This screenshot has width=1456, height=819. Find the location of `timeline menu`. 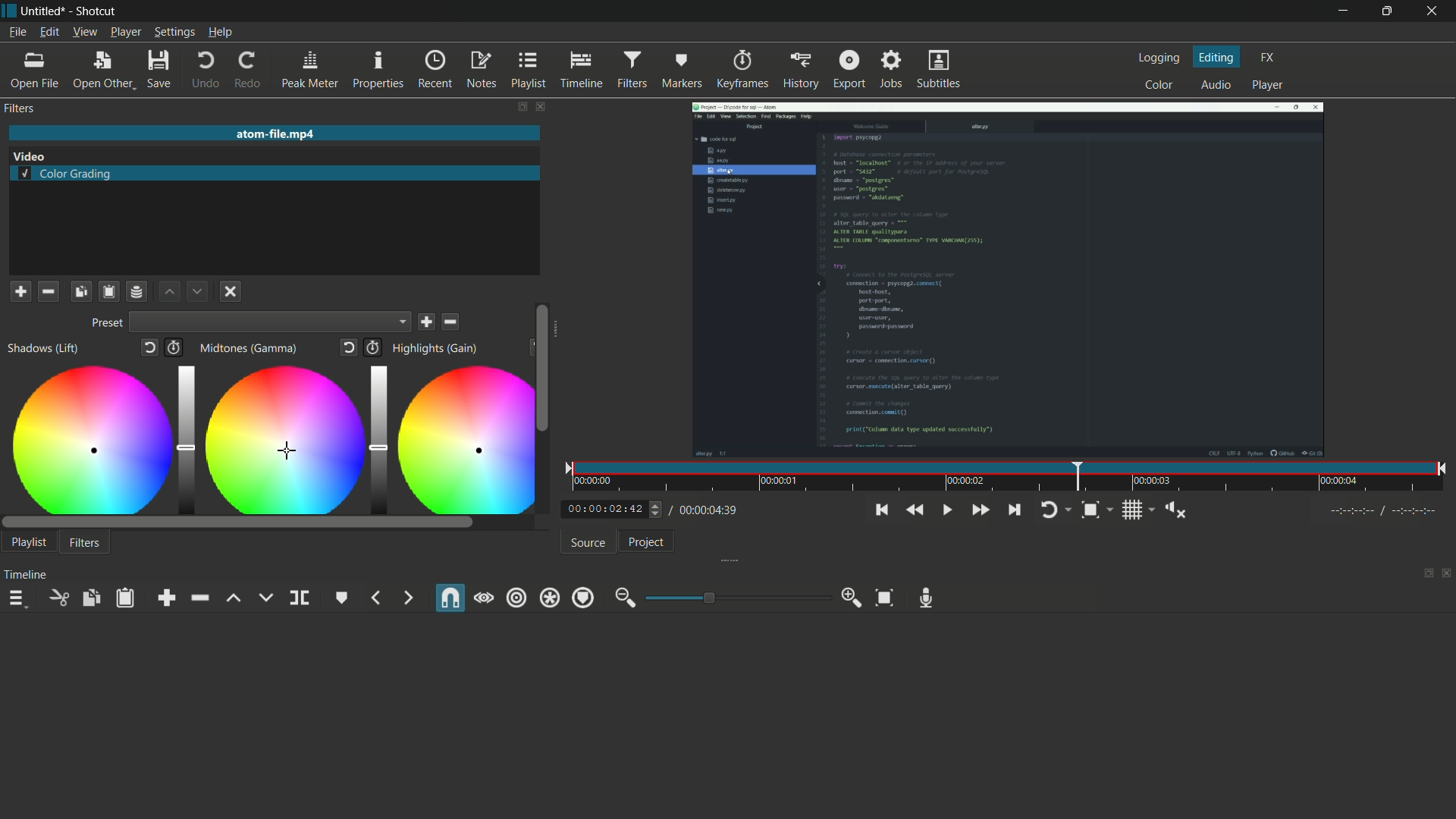

timeline menu is located at coordinates (17, 600).